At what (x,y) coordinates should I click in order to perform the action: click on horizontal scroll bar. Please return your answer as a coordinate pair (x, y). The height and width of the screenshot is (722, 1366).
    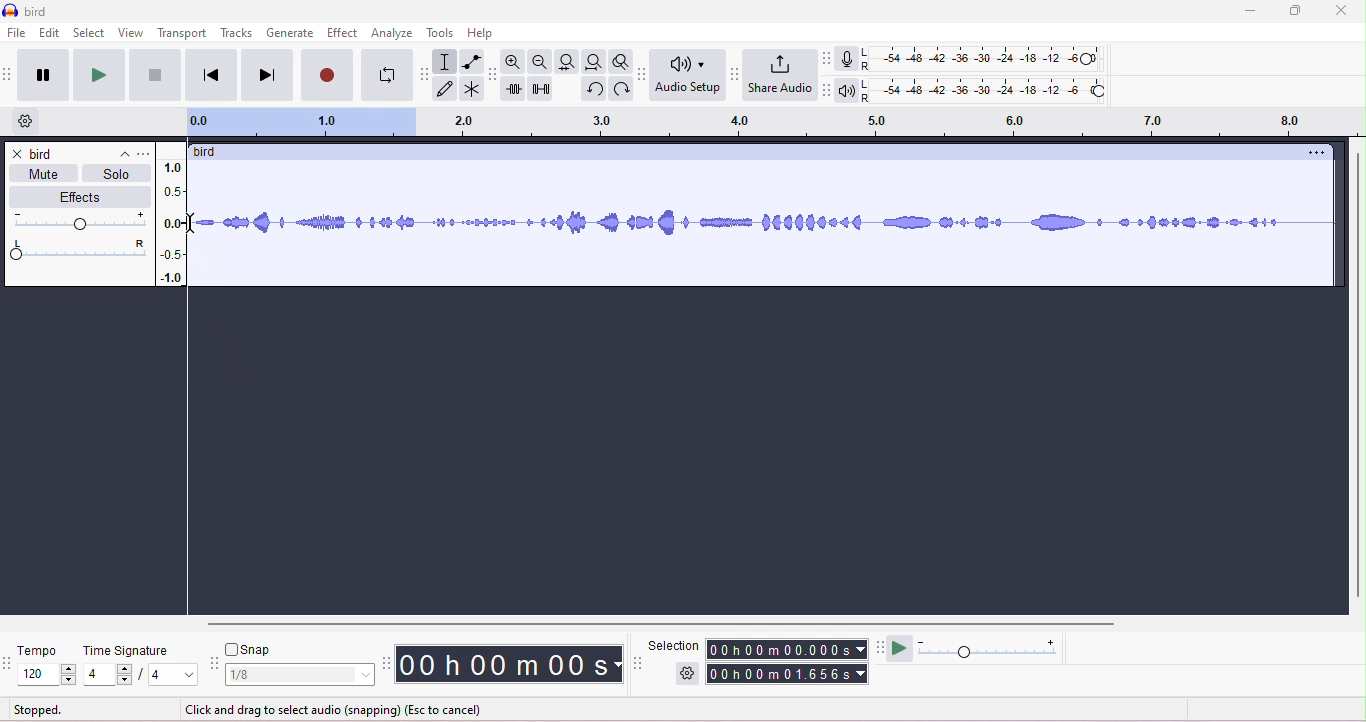
    Looking at the image, I should click on (668, 626).